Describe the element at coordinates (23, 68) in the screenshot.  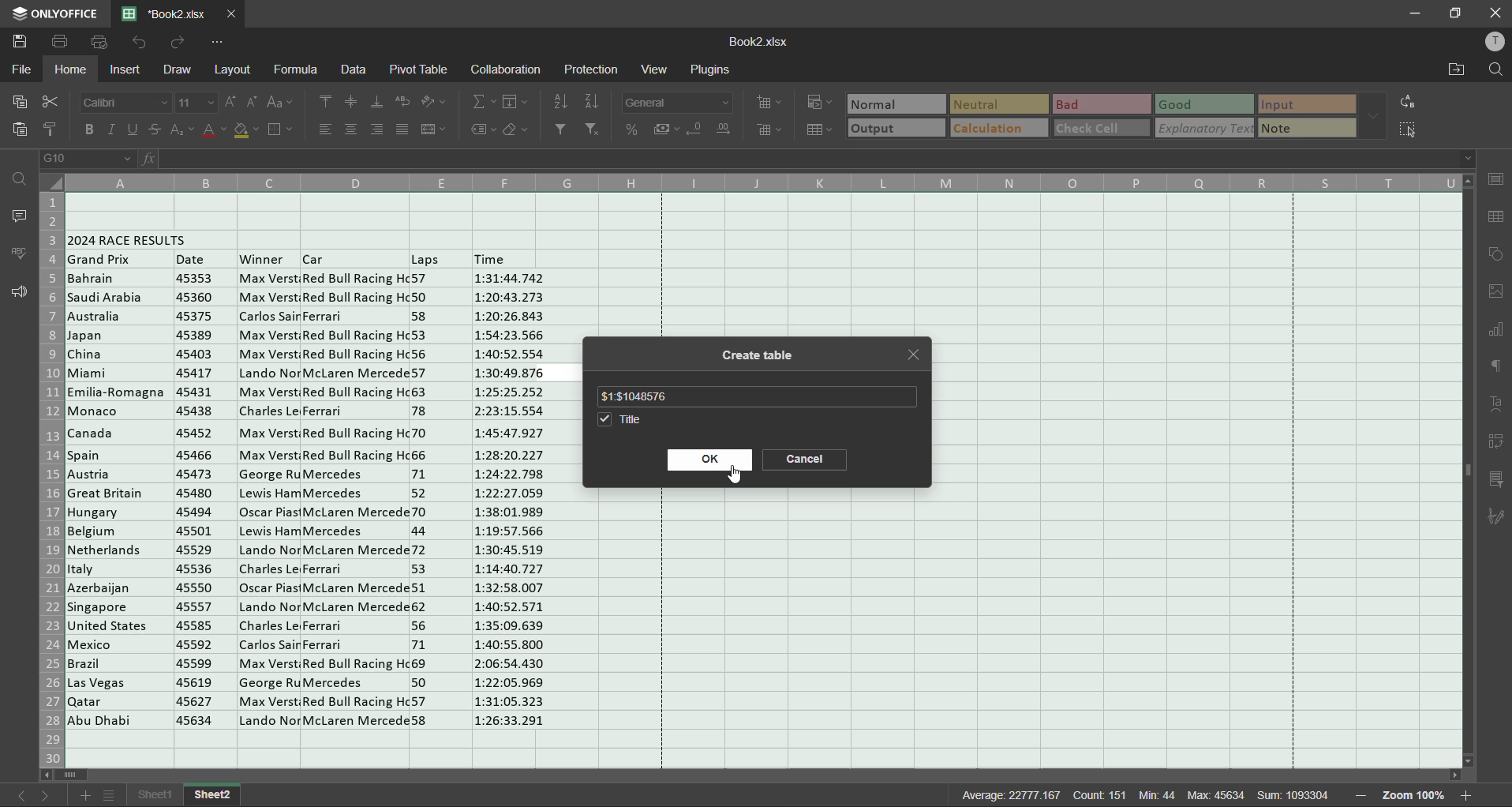
I see `file` at that location.